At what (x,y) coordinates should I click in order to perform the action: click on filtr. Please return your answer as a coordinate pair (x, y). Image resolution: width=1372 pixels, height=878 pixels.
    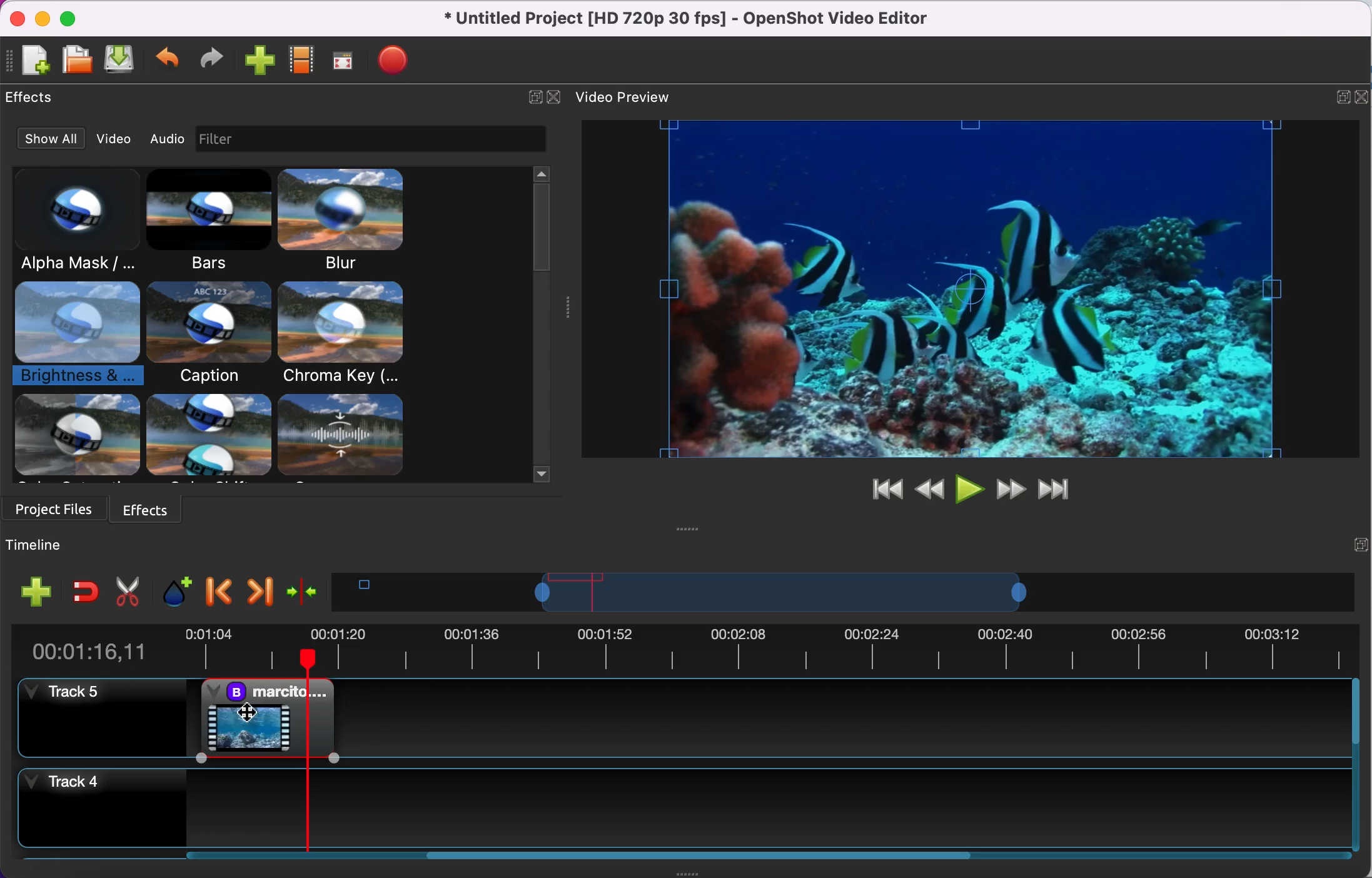
    Looking at the image, I should click on (393, 139).